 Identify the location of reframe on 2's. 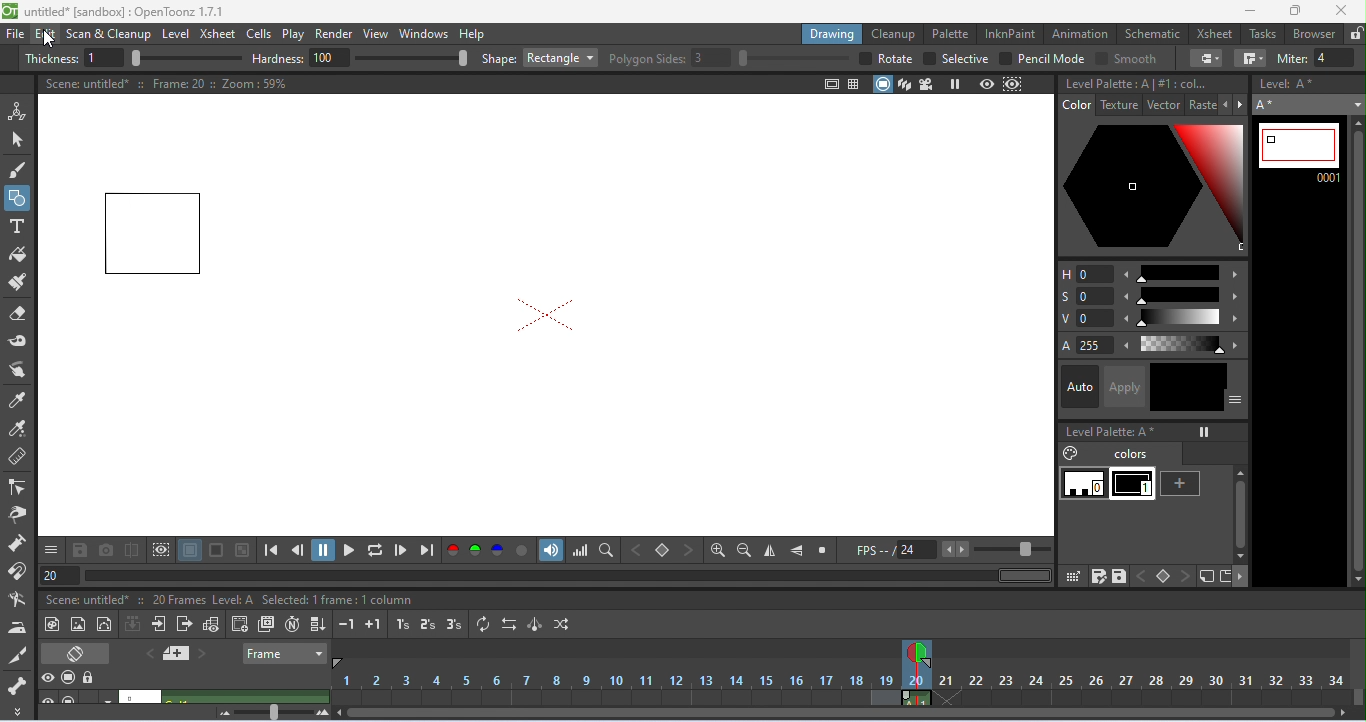
(428, 623).